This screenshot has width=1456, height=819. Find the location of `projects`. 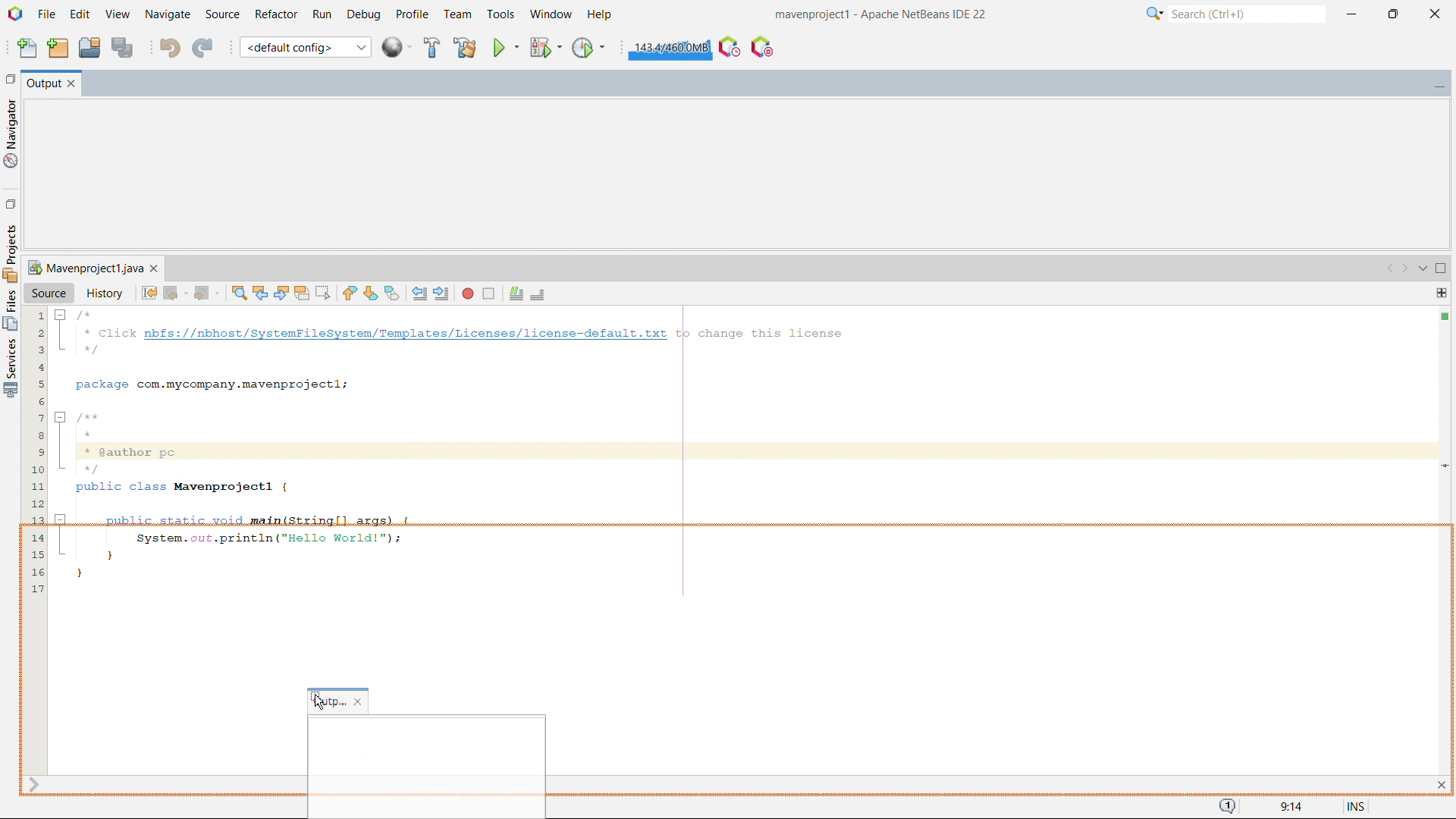

projects is located at coordinates (11, 369).